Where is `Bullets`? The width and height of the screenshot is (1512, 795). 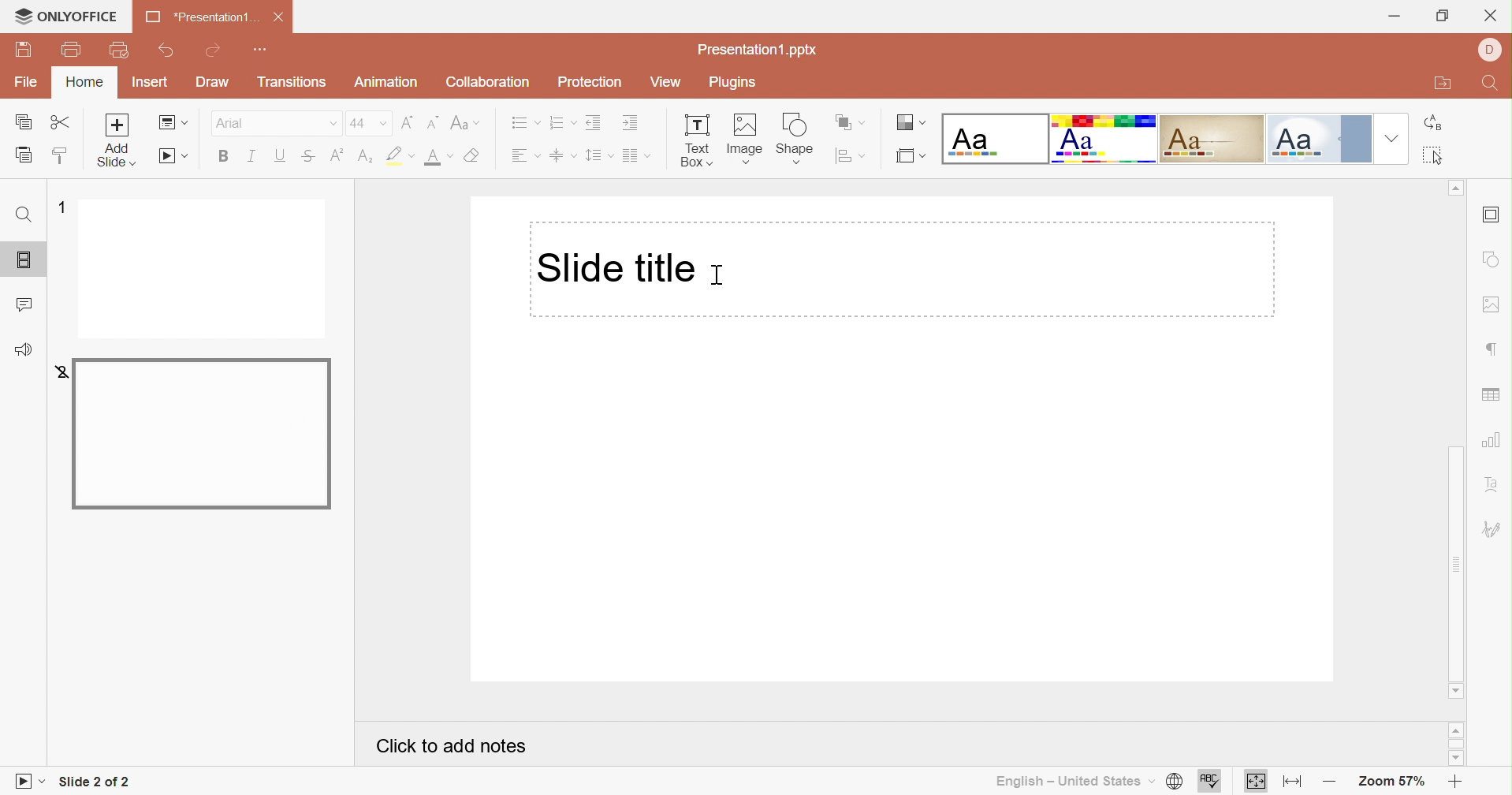 Bullets is located at coordinates (523, 122).